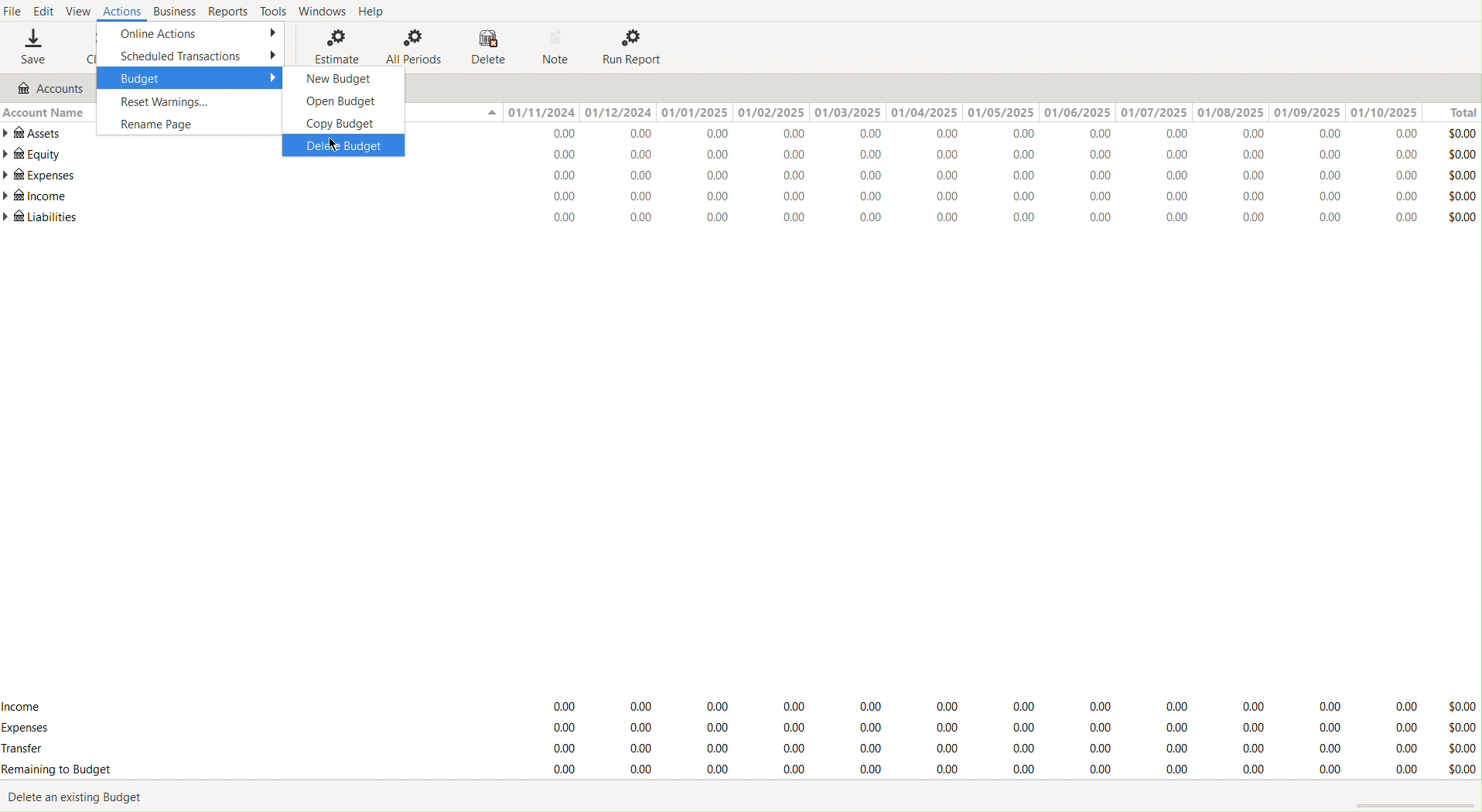 The width and height of the screenshot is (1482, 812). I want to click on Dates, so click(964, 112).